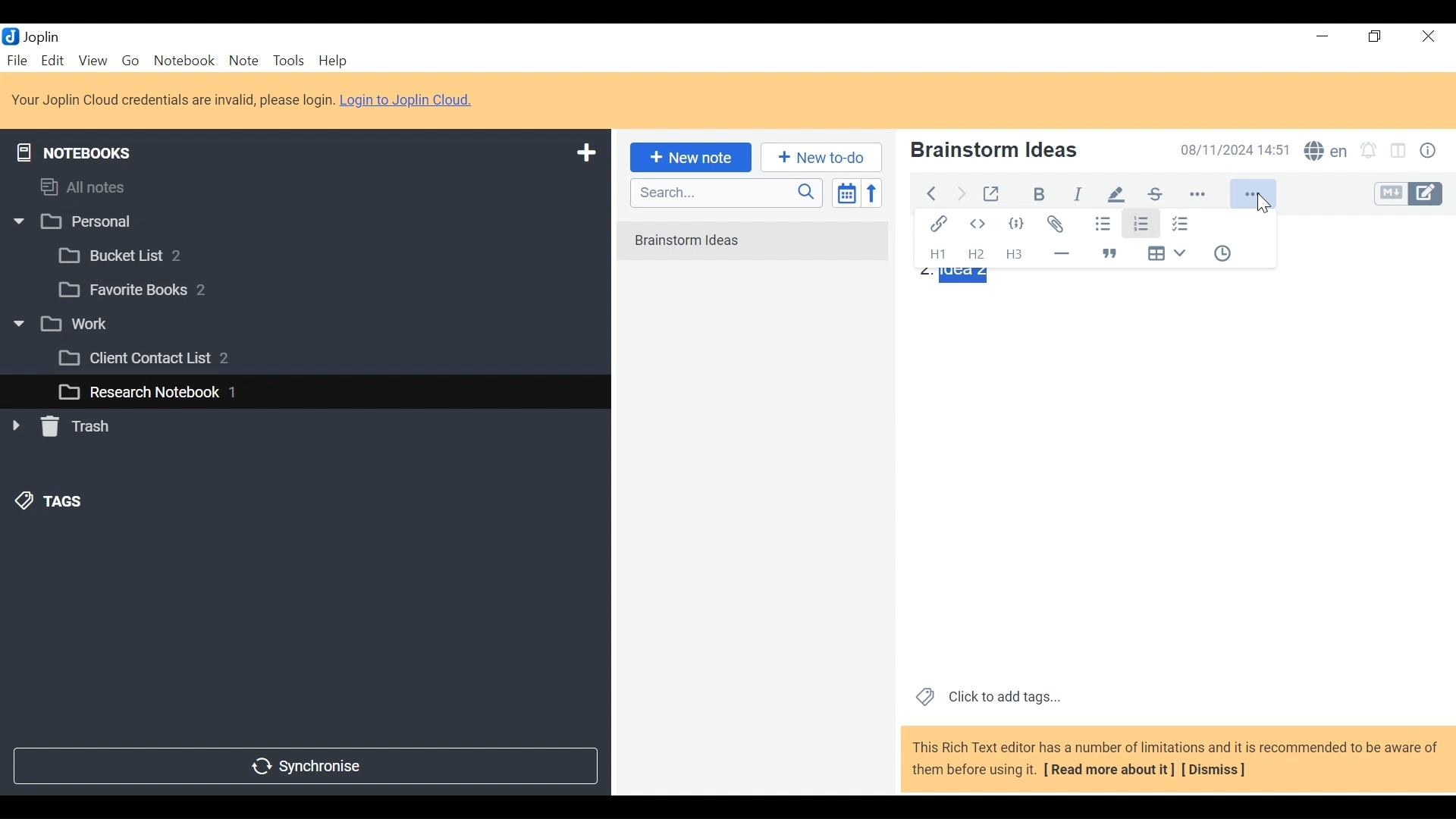 The height and width of the screenshot is (819, 1456). What do you see at coordinates (1231, 149) in the screenshot?
I see `Date and Time` at bounding box center [1231, 149].